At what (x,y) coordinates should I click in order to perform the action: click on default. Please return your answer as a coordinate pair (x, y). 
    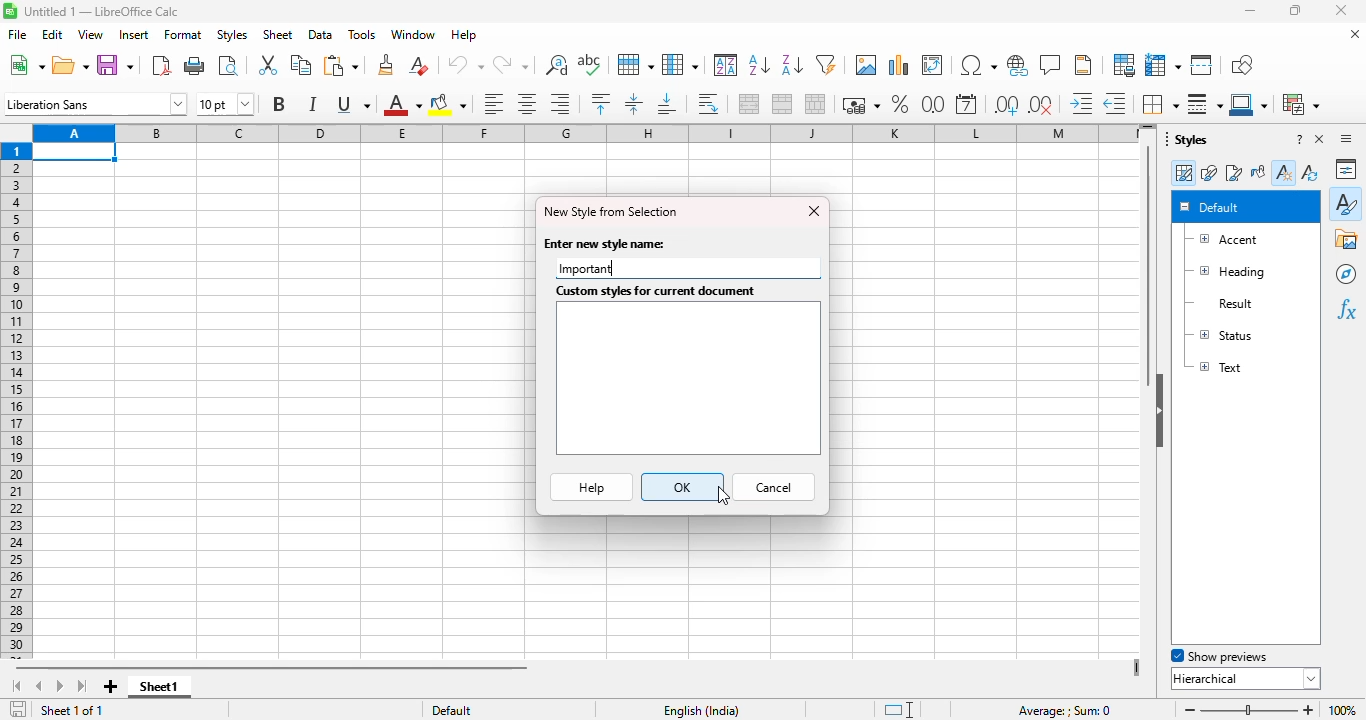
    Looking at the image, I should click on (1210, 206).